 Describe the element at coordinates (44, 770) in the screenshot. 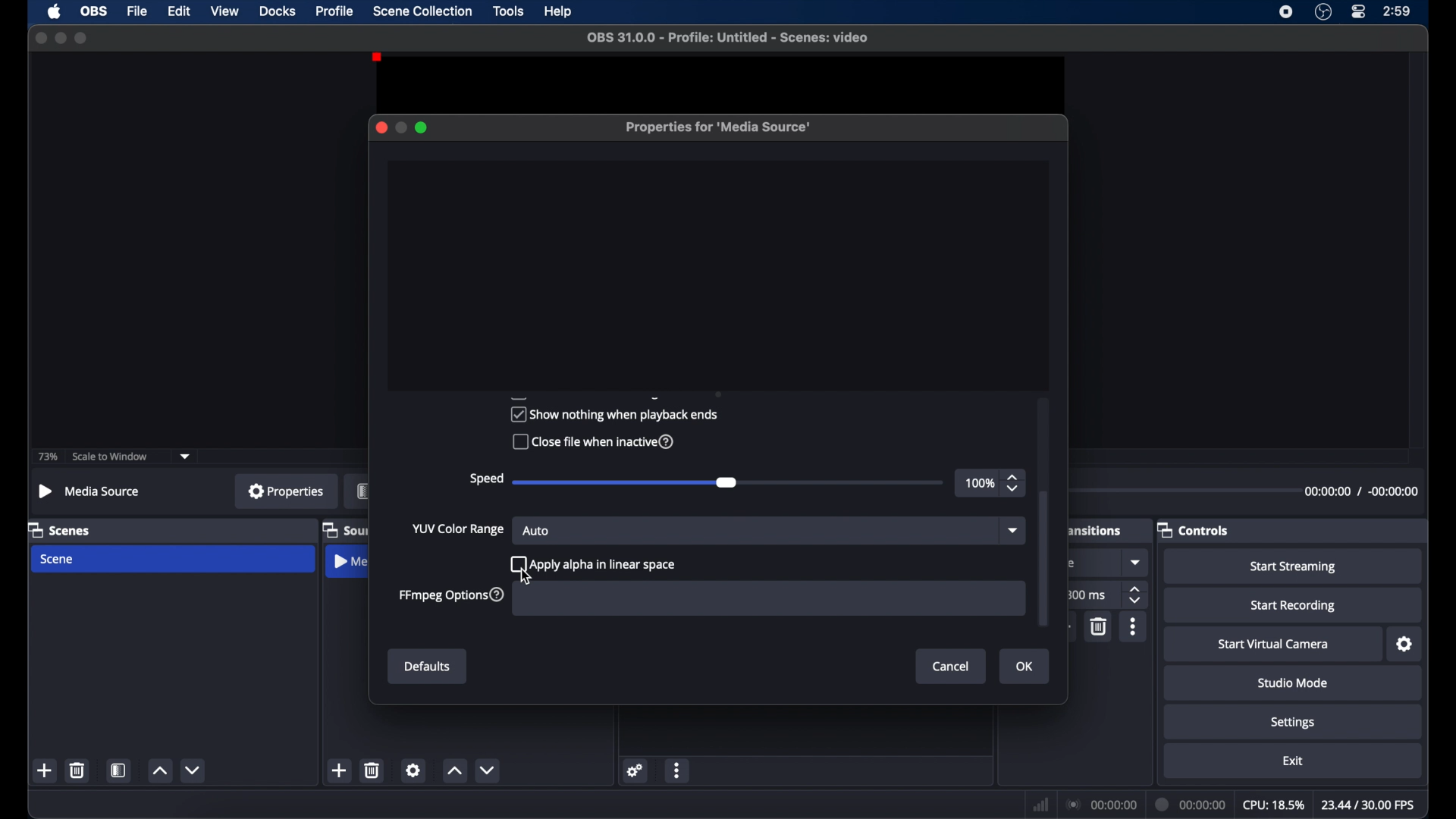

I see `add` at that location.